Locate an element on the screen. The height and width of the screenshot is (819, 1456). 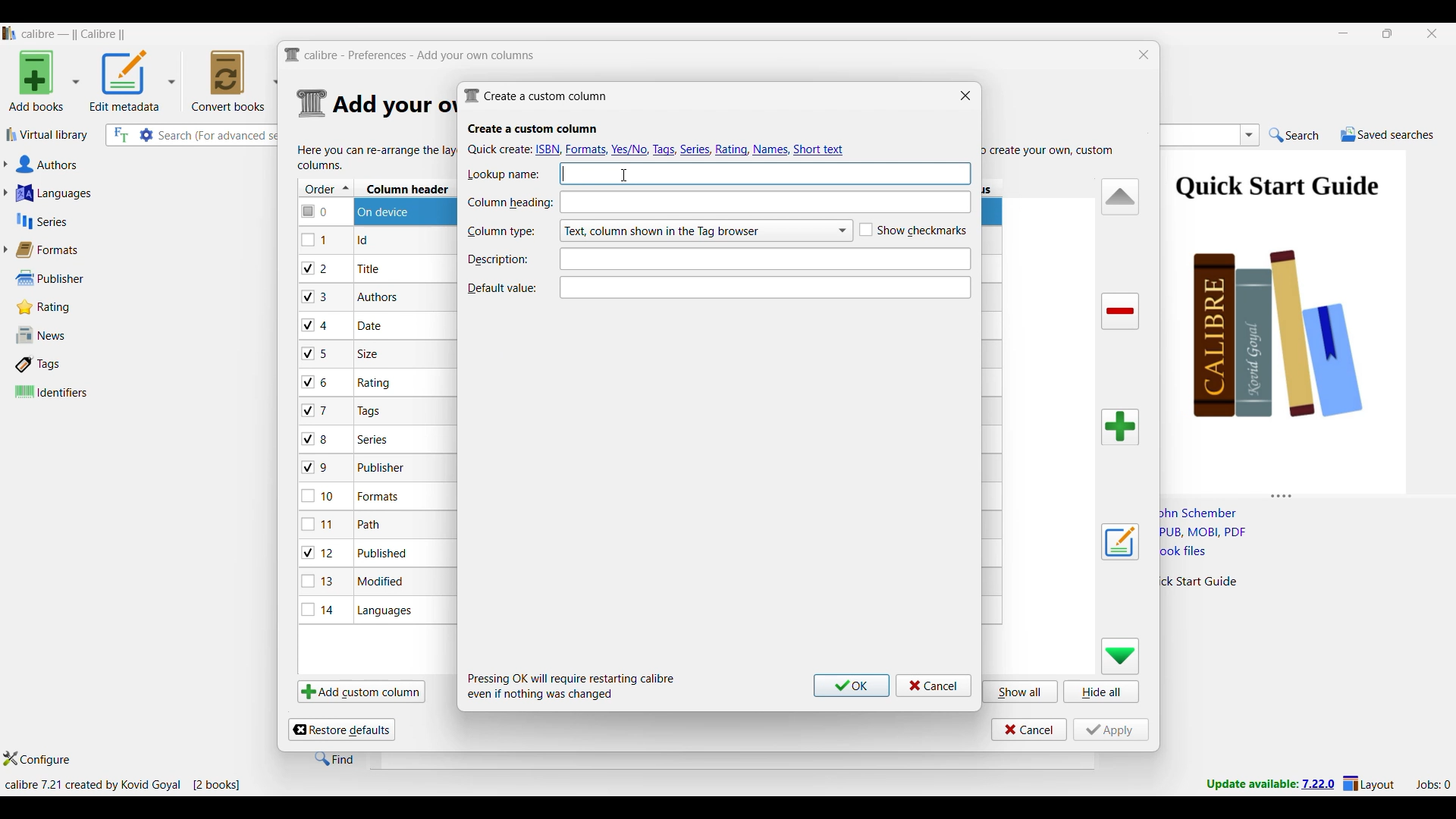
Input search here is located at coordinates (220, 136).